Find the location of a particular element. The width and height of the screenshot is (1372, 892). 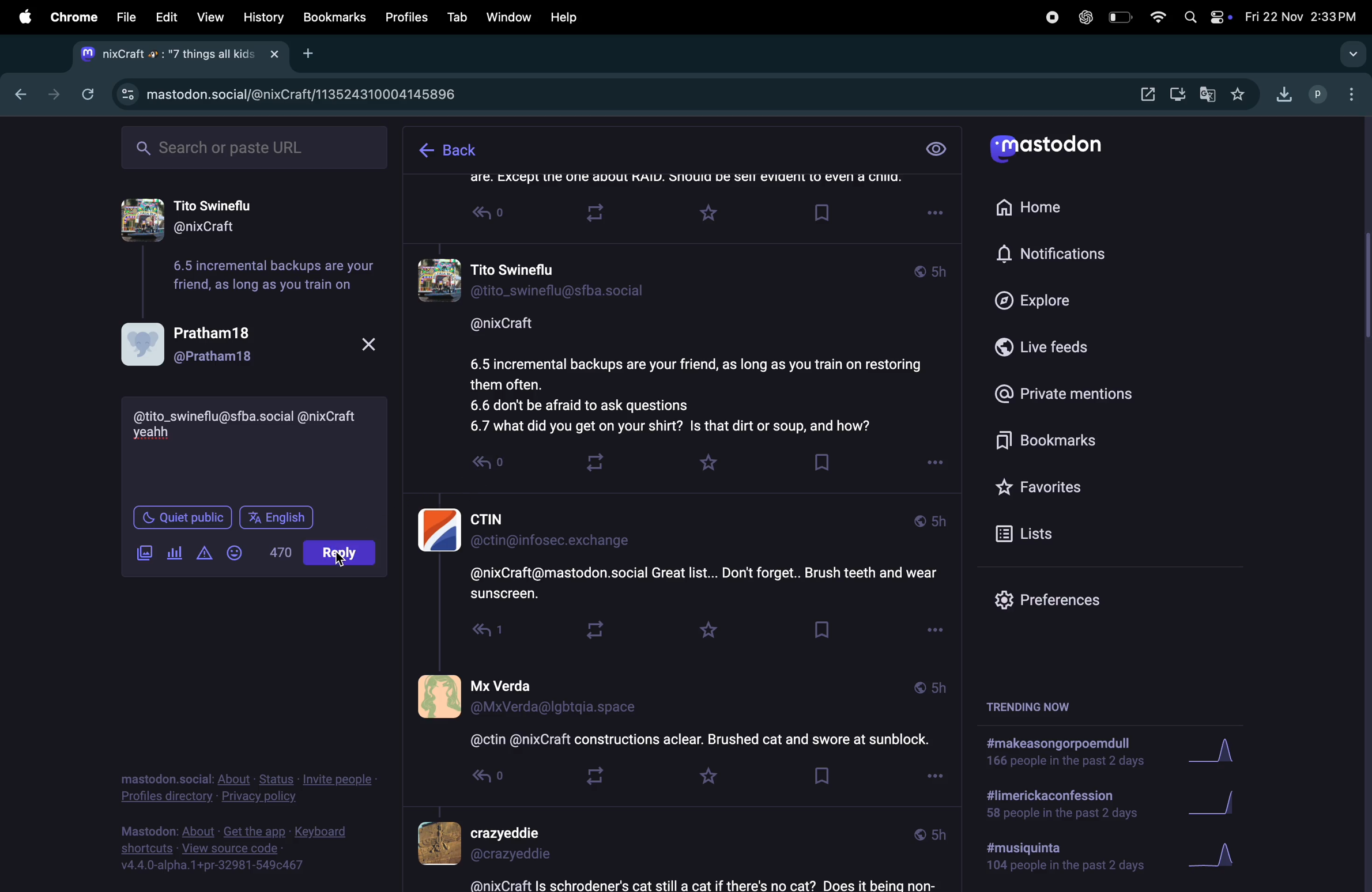

window is located at coordinates (510, 14).